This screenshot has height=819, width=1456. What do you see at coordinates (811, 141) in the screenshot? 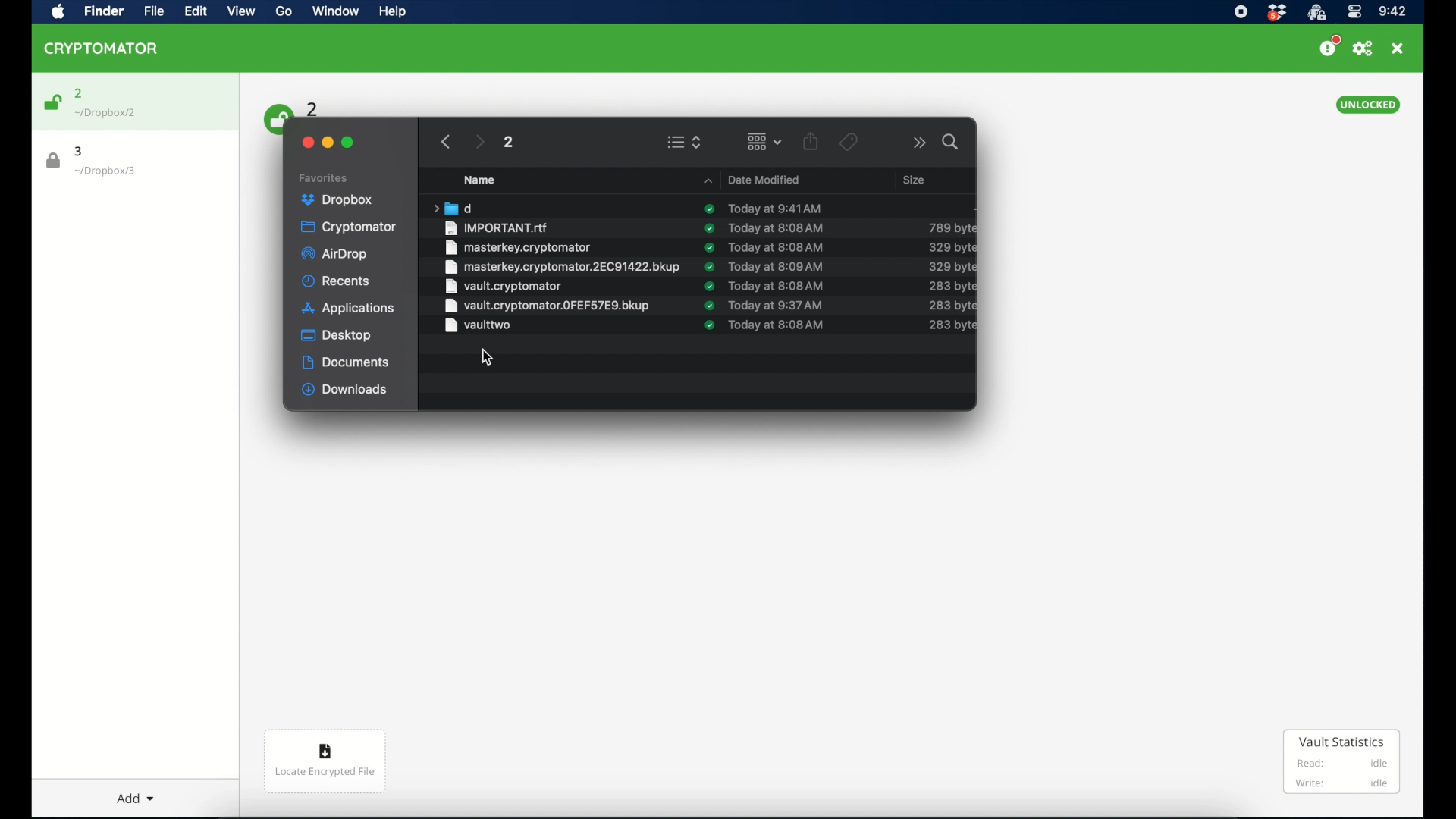
I see `share` at bounding box center [811, 141].